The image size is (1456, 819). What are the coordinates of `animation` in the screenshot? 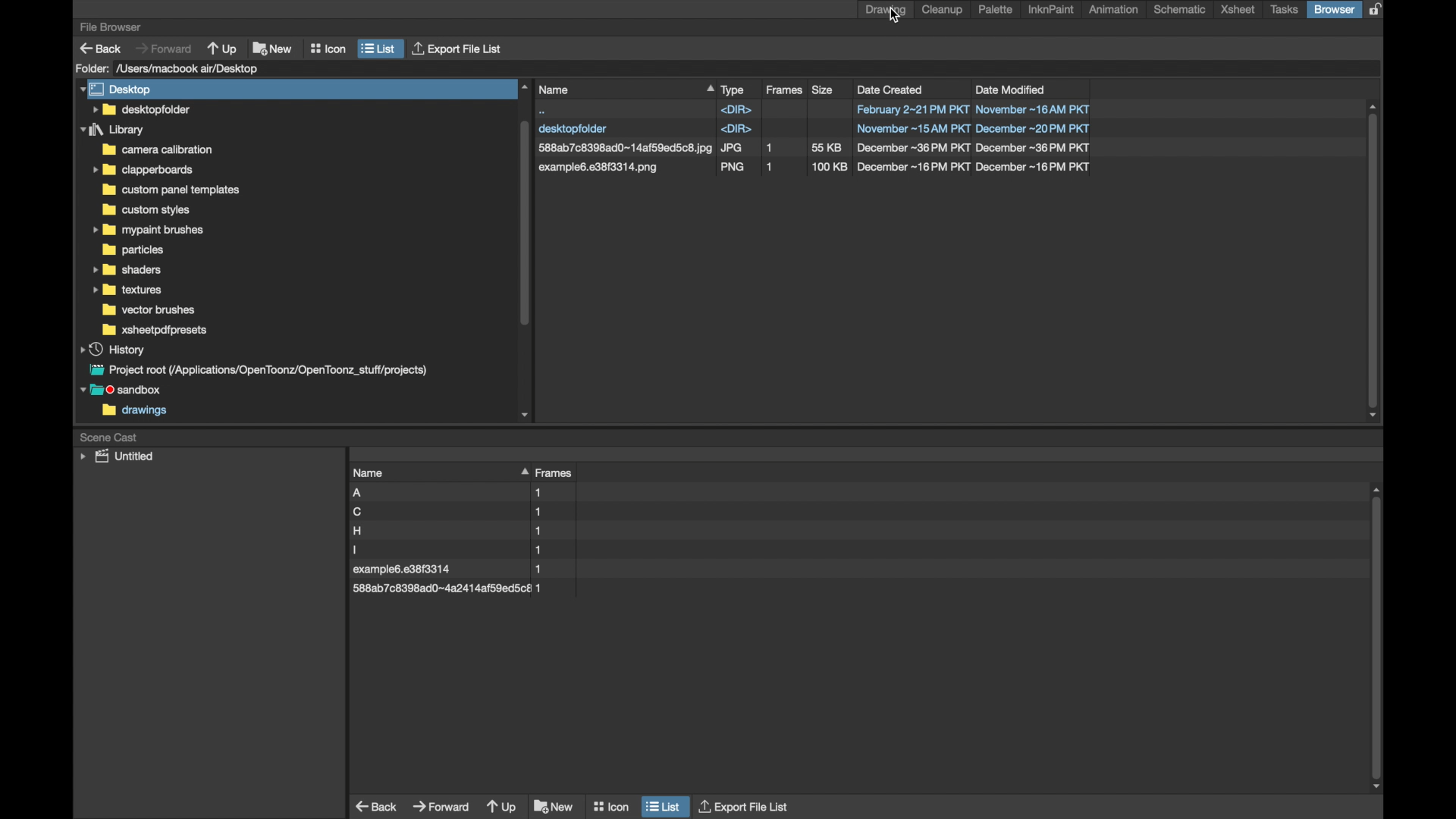 It's located at (1115, 9).